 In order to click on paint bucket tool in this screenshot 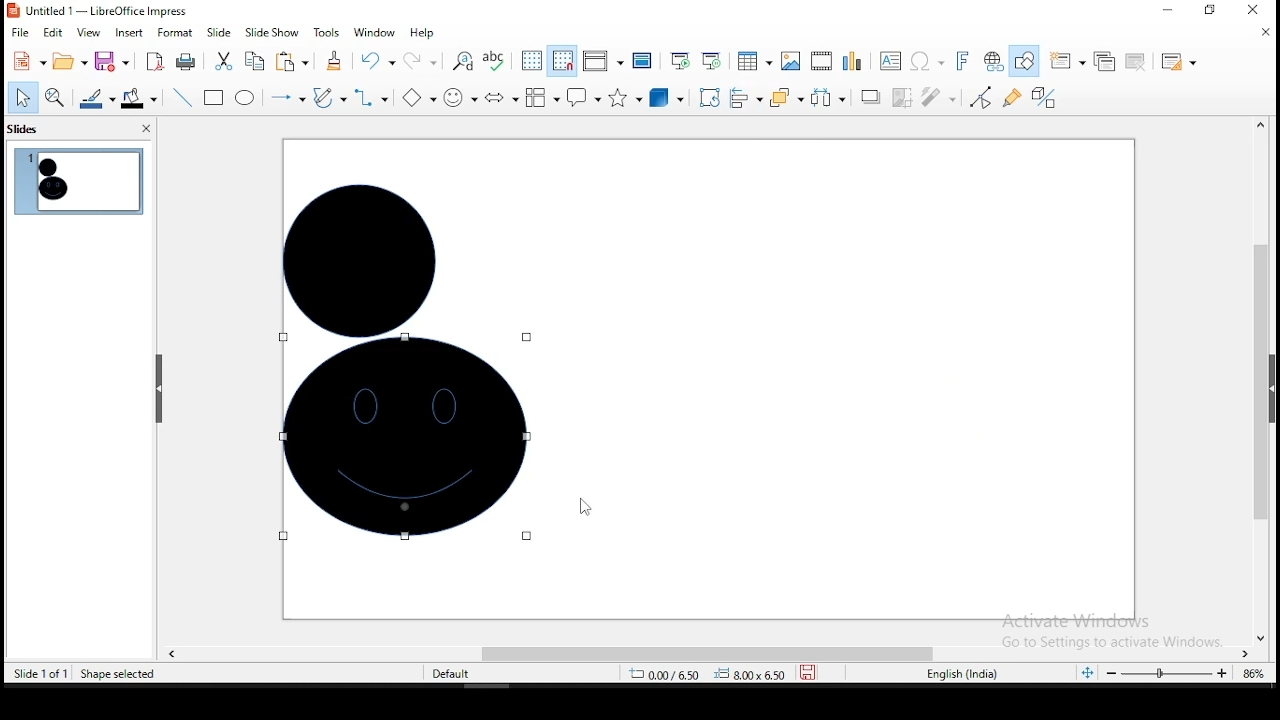, I will do `click(139, 98)`.